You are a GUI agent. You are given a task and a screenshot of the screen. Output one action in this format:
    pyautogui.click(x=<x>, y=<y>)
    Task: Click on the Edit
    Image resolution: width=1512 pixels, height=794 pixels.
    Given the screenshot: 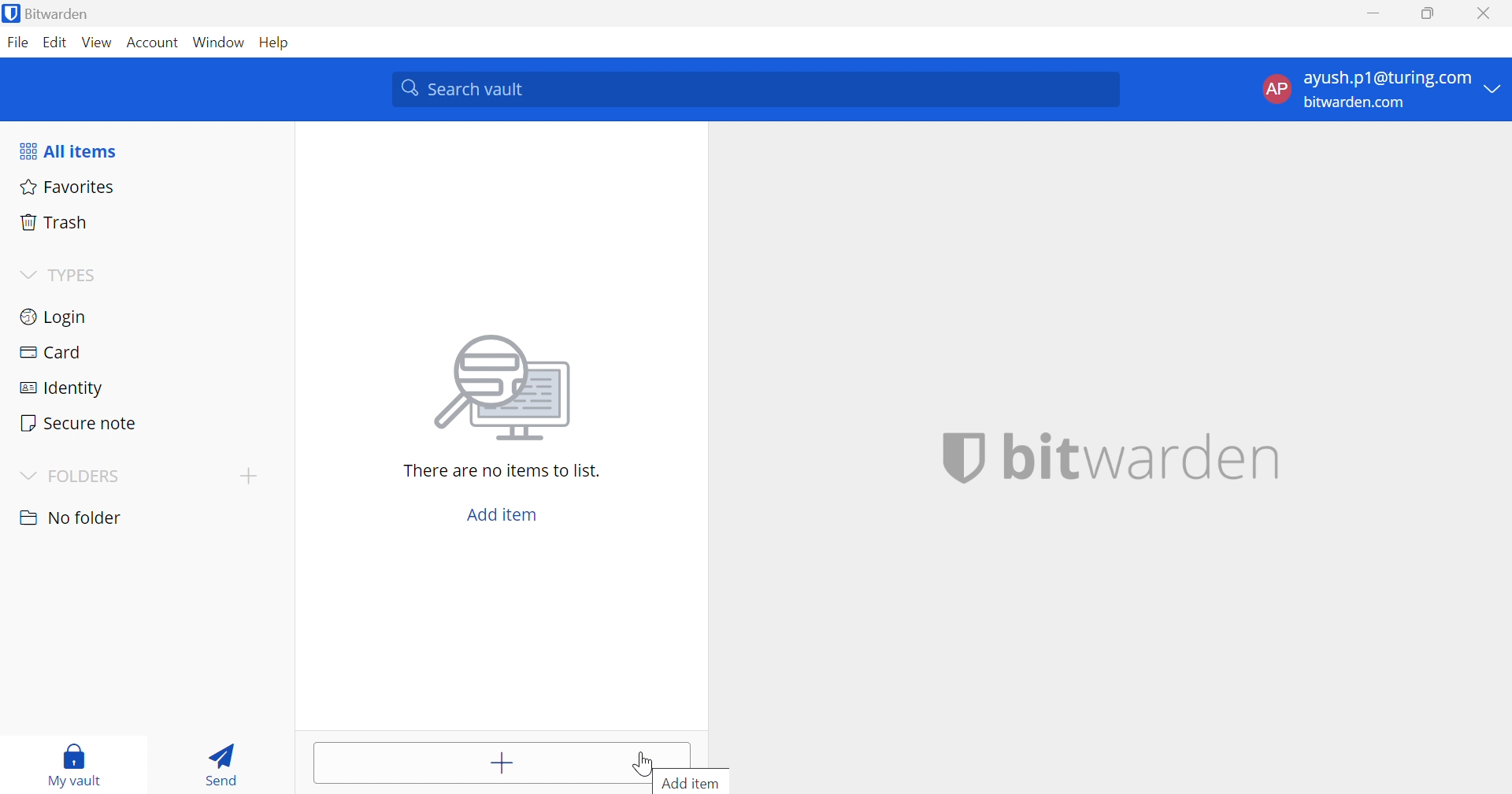 What is the action you would take?
    pyautogui.click(x=55, y=42)
    